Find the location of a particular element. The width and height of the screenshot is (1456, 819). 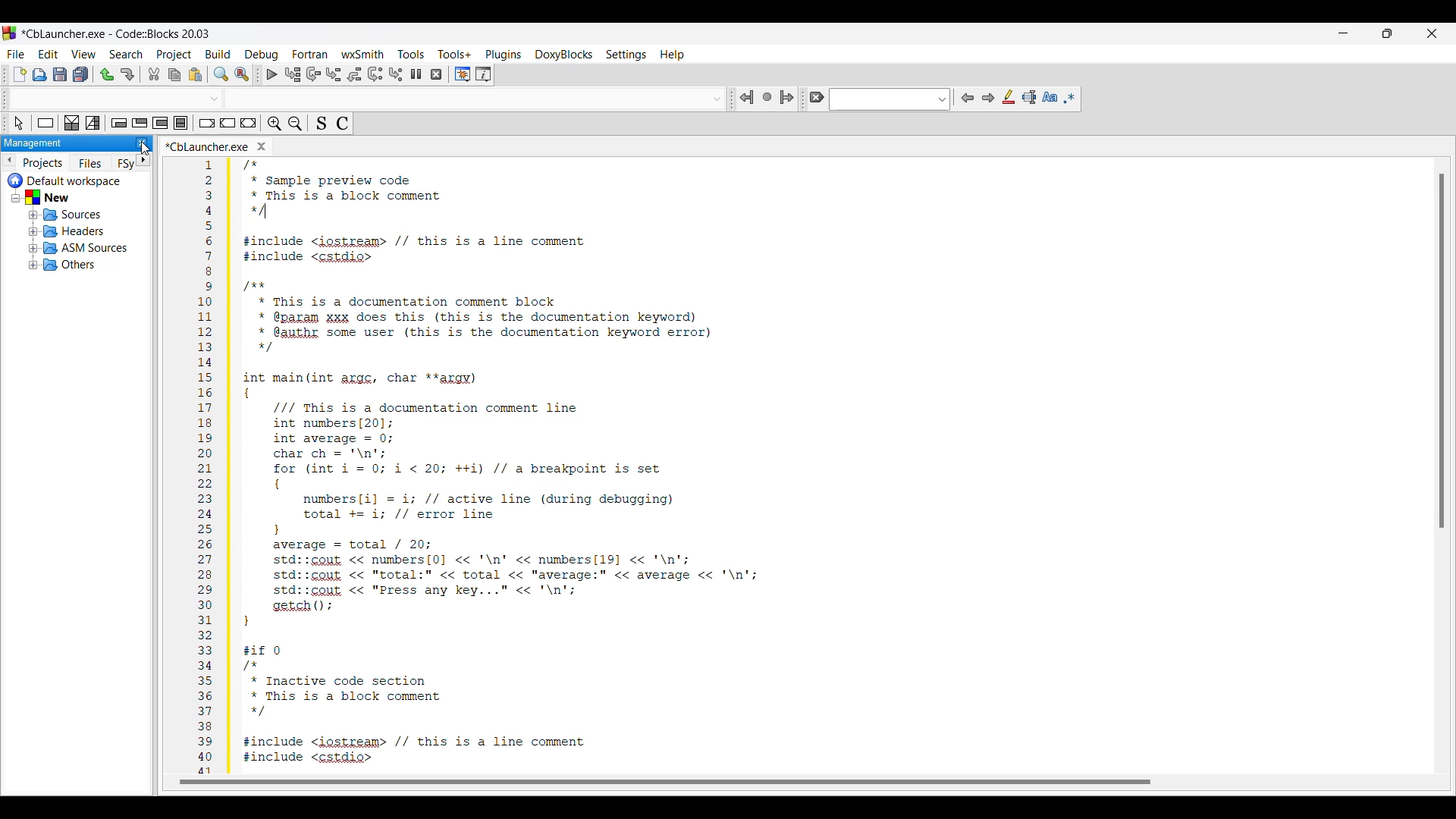

Toggle source is located at coordinates (321, 124).